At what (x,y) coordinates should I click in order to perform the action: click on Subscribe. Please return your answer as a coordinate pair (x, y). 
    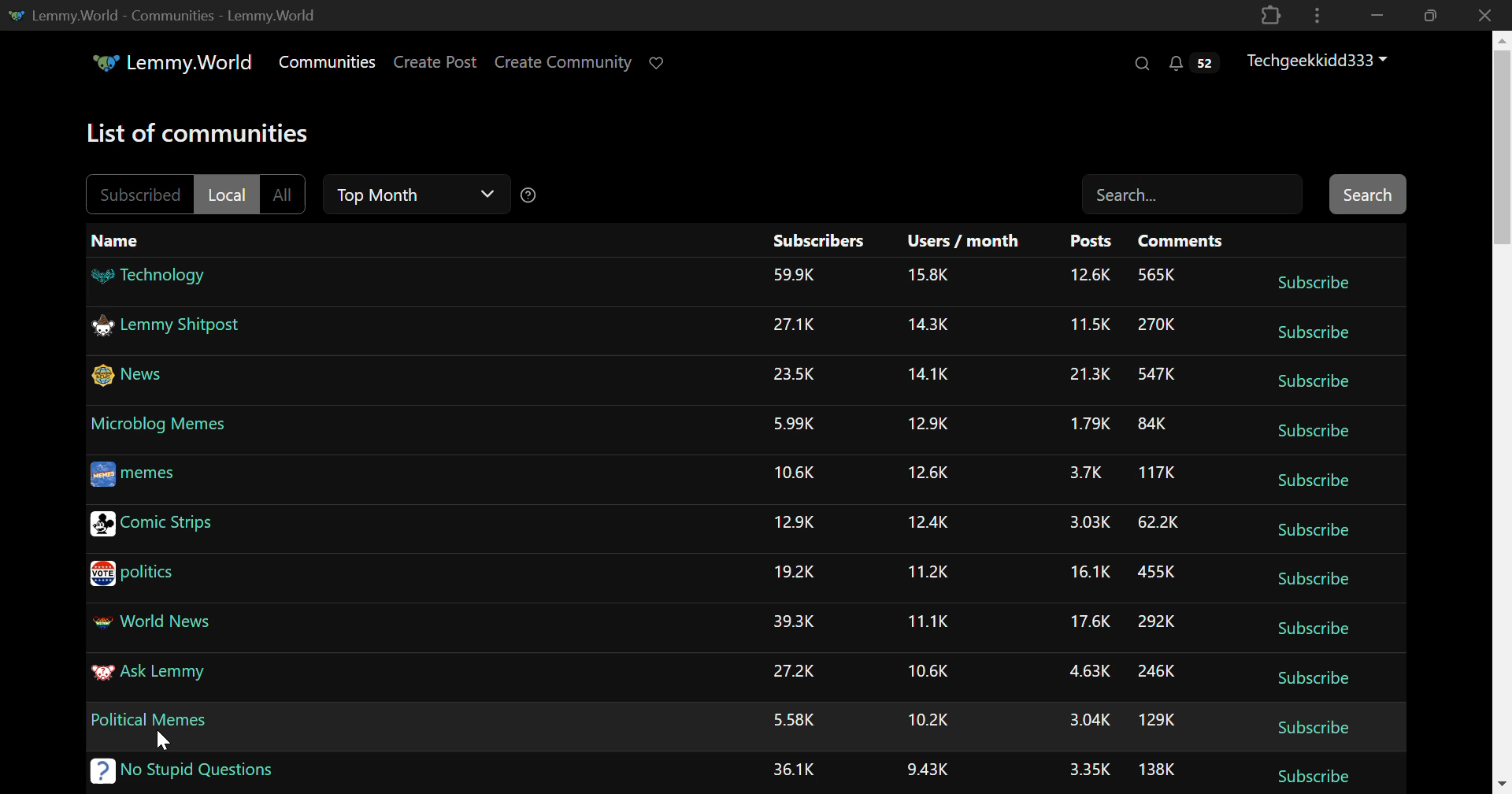
    Looking at the image, I should click on (1312, 775).